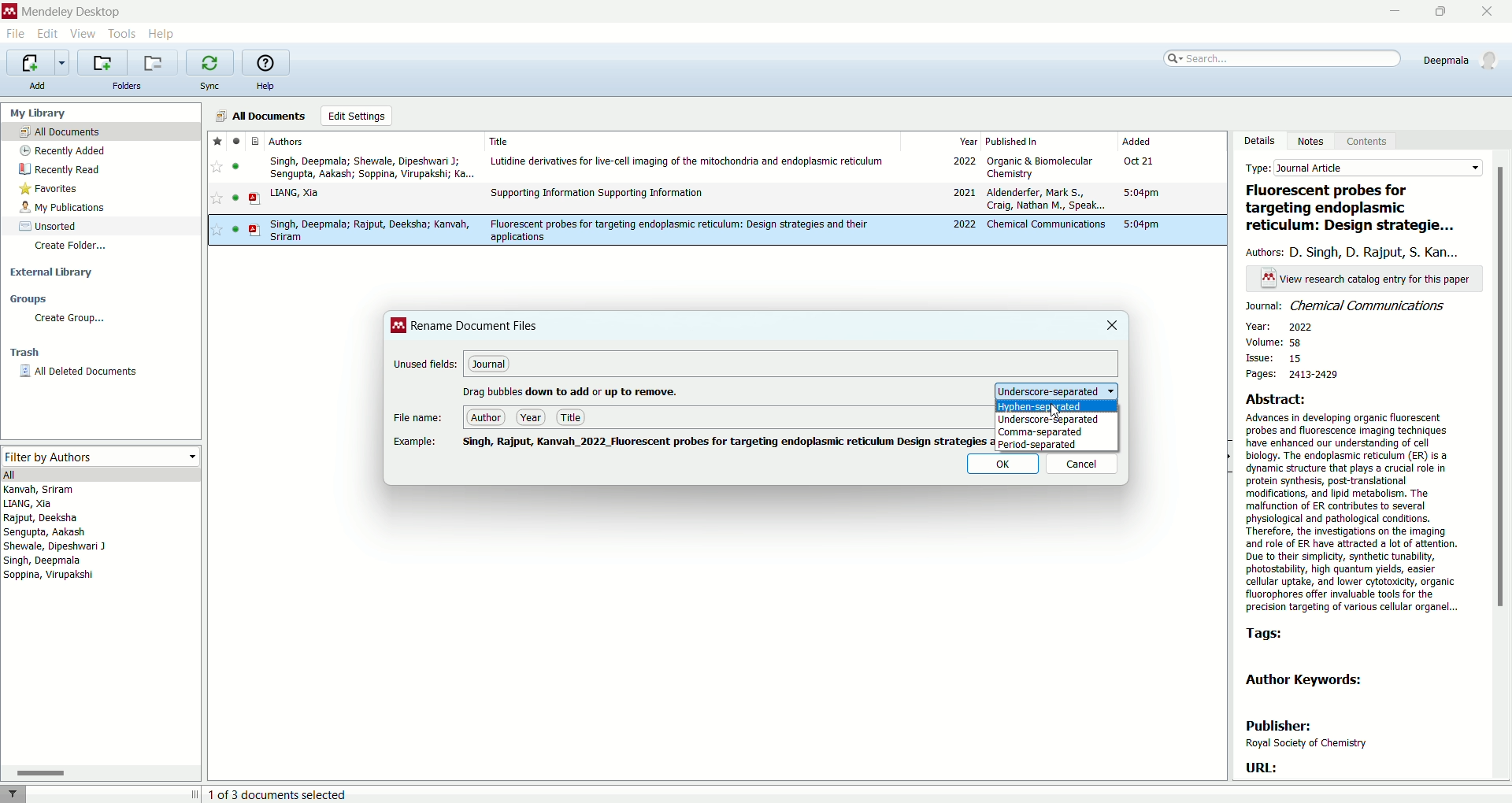 Image resolution: width=1512 pixels, height=803 pixels. What do you see at coordinates (48, 272) in the screenshot?
I see `external library` at bounding box center [48, 272].